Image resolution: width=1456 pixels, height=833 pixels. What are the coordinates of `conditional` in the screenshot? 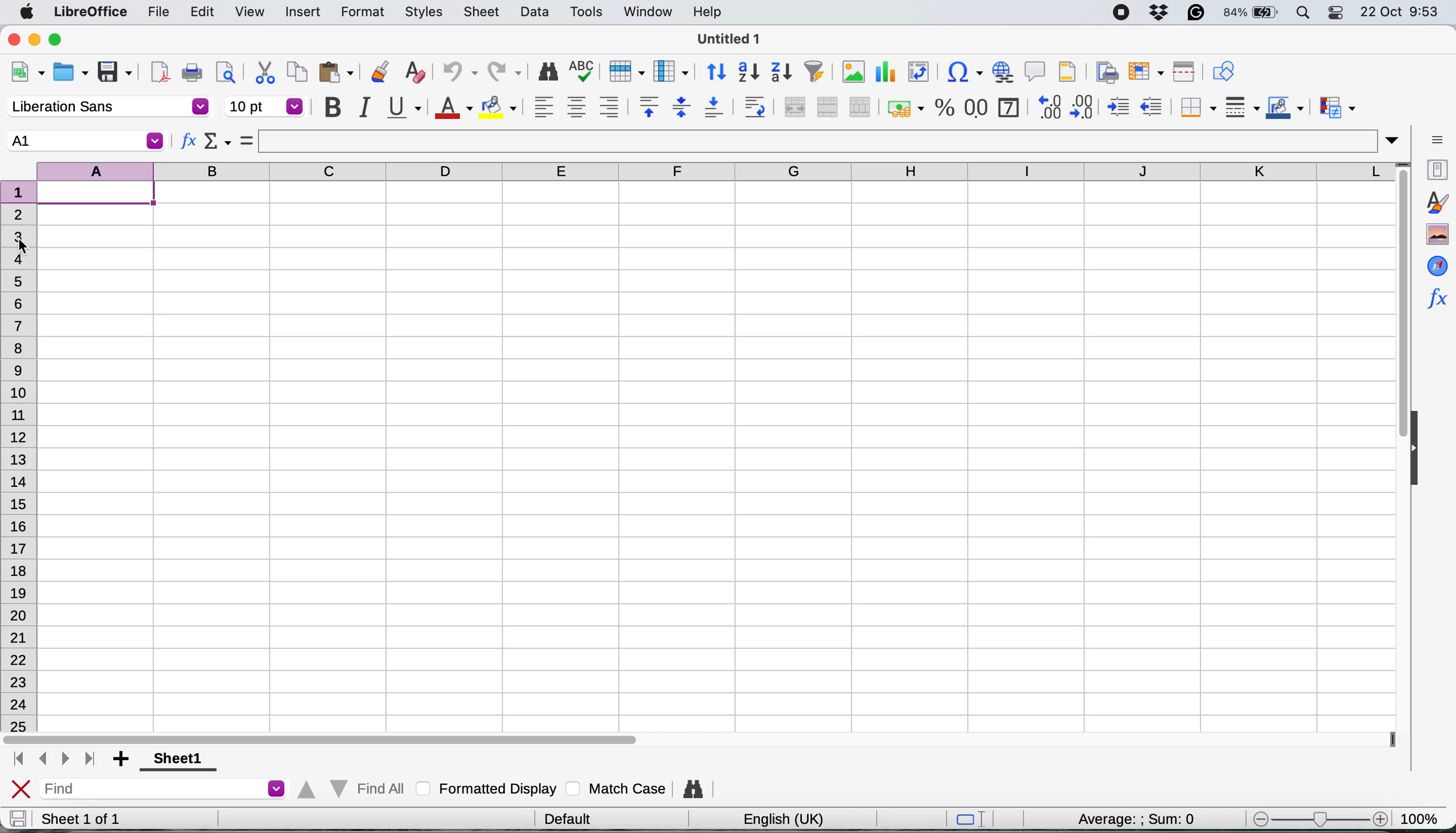 It's located at (1336, 109).